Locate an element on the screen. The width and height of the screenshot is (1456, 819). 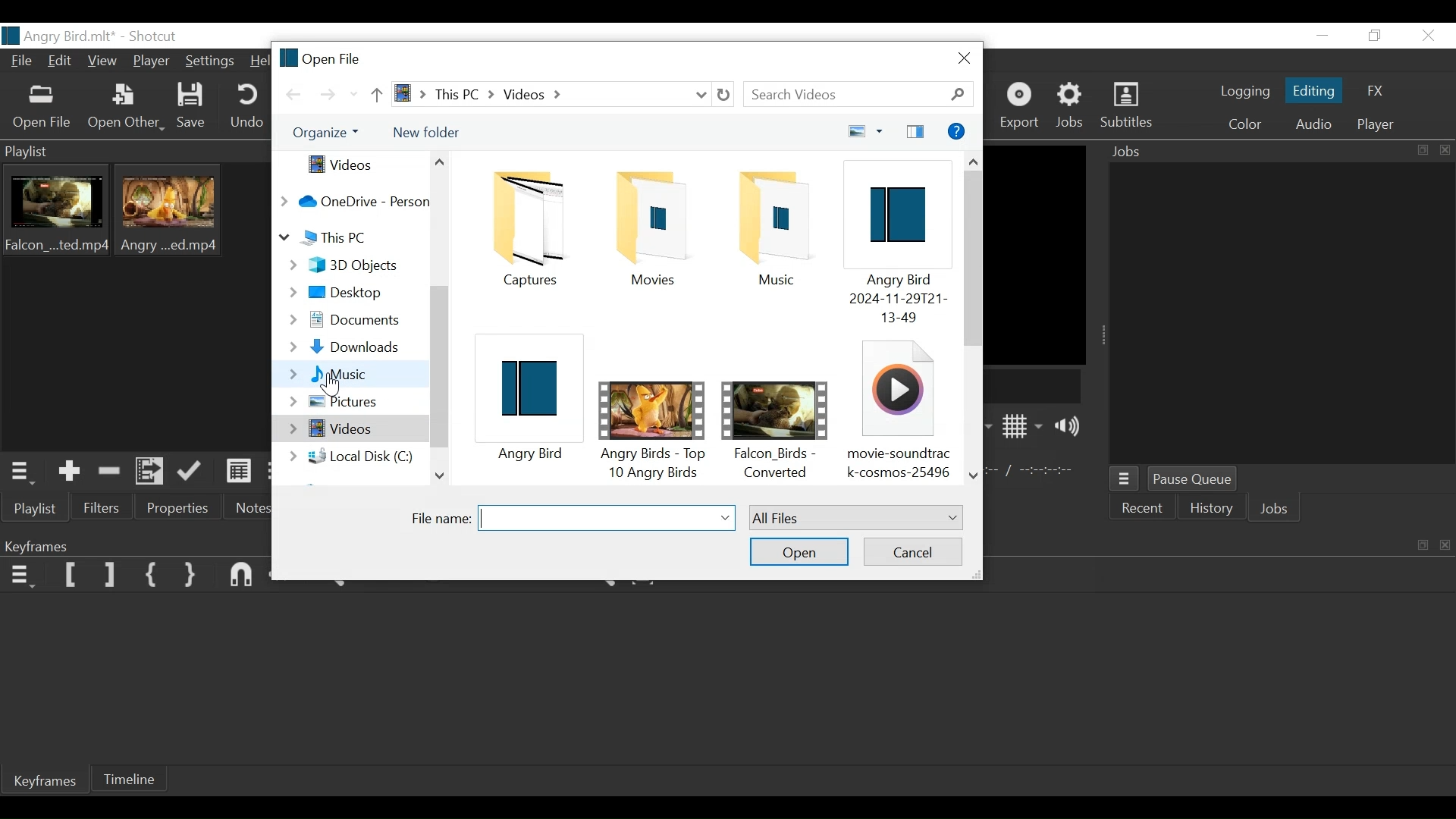
Snap is located at coordinates (243, 576).